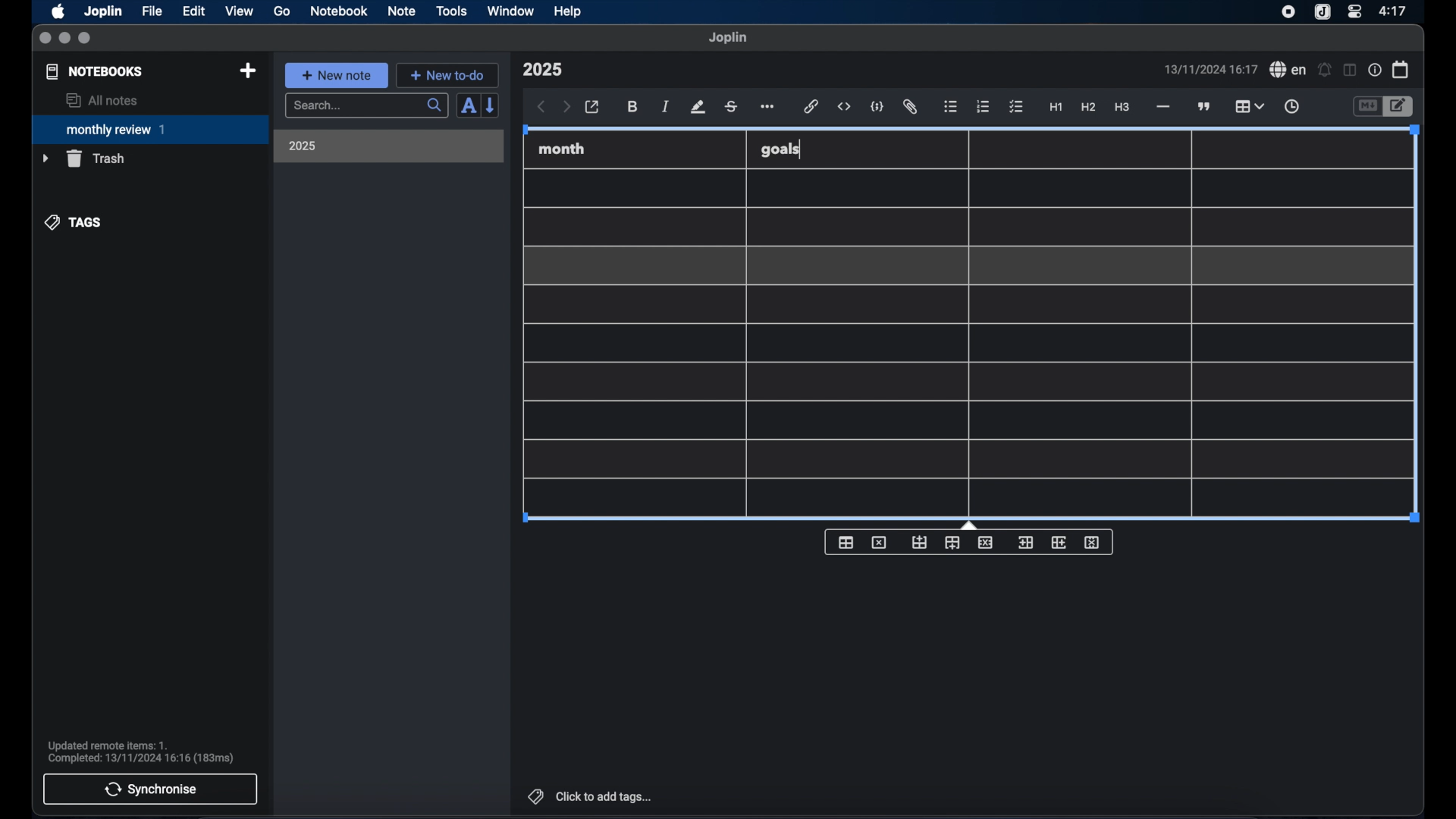 The height and width of the screenshot is (819, 1456). Describe the element at coordinates (950, 107) in the screenshot. I see `bulleted list` at that location.